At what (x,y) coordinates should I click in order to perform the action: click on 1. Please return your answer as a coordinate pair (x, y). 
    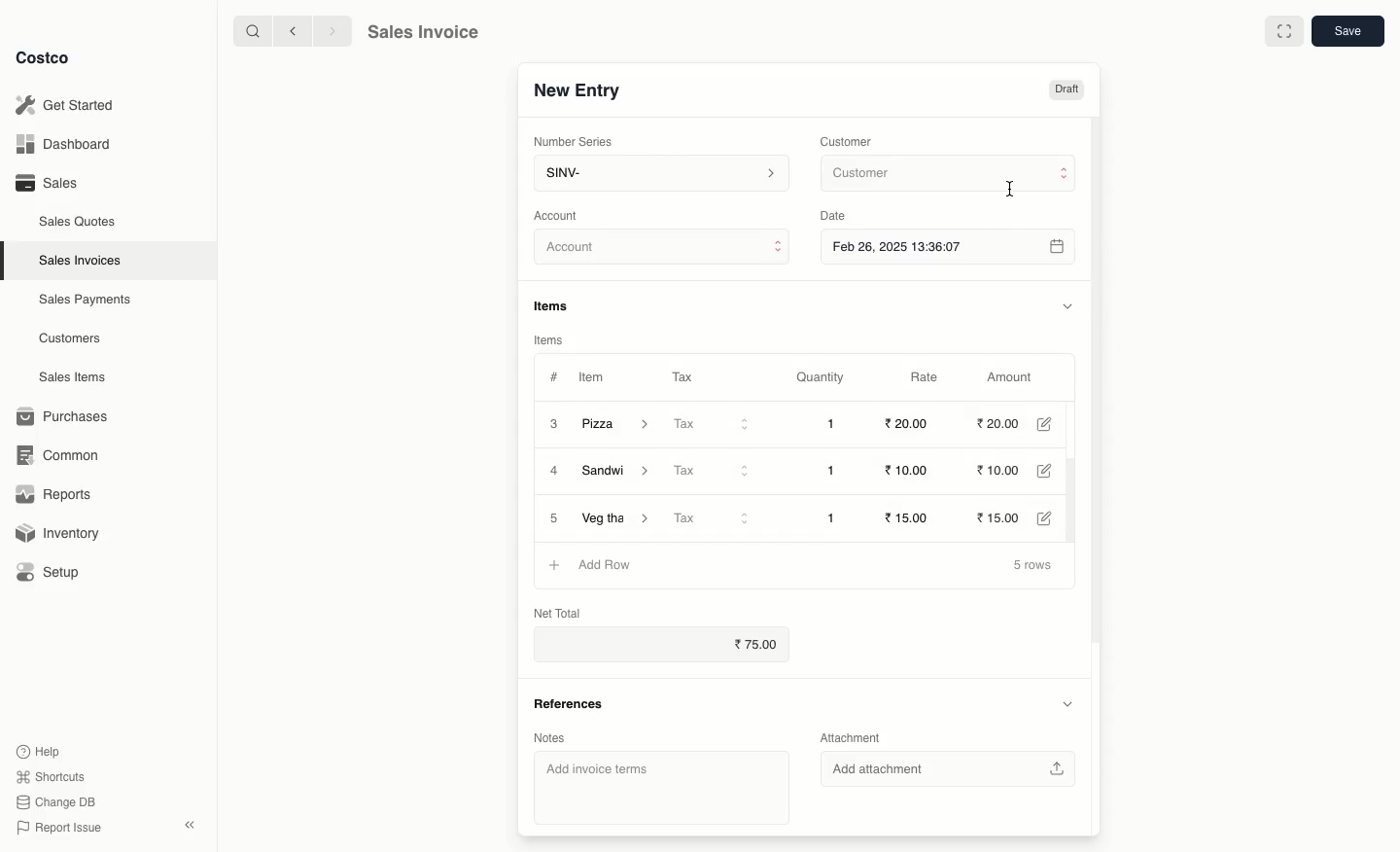
    Looking at the image, I should click on (836, 424).